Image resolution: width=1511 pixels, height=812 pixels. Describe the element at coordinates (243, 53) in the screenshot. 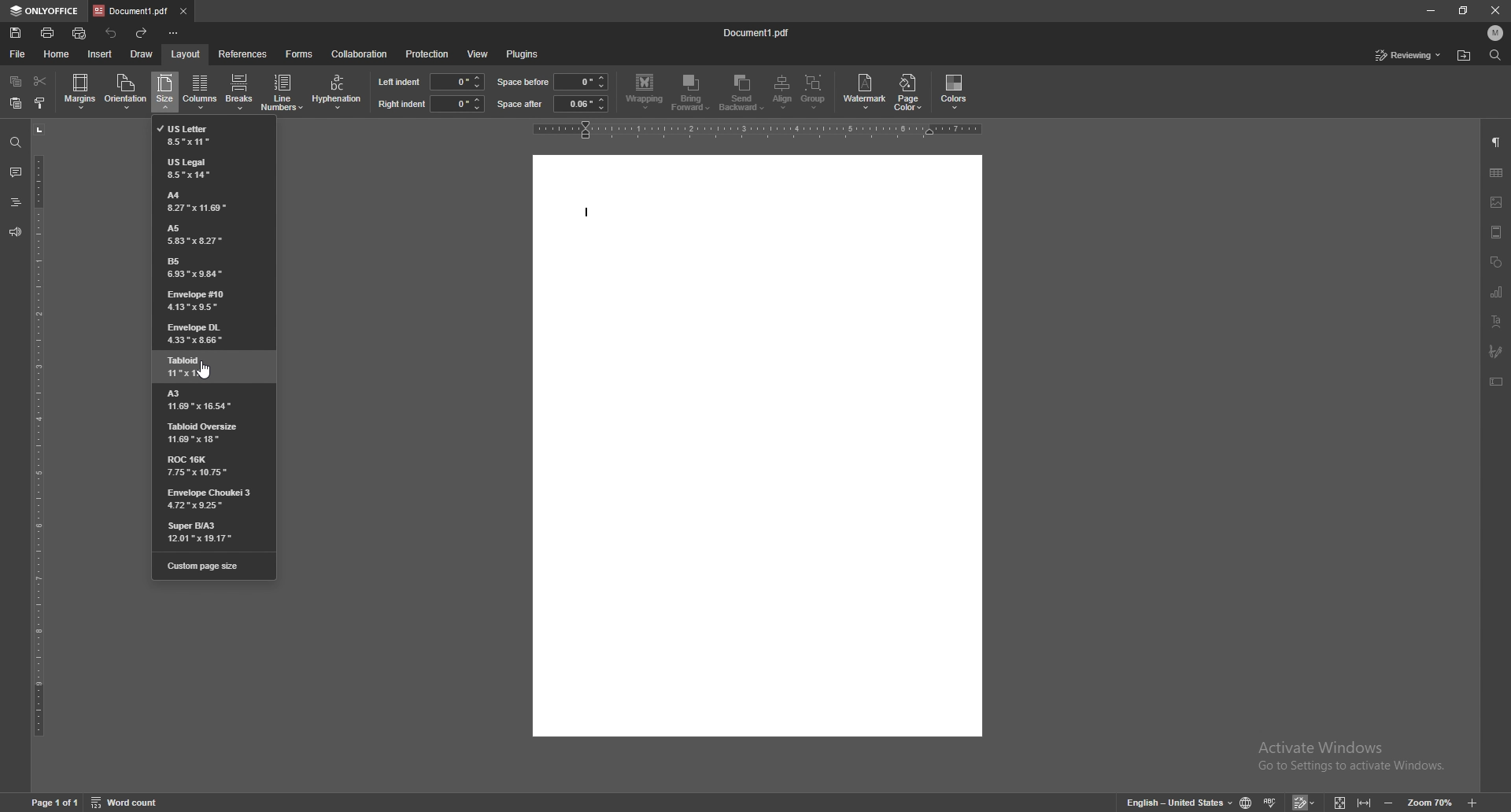

I see `references` at that location.